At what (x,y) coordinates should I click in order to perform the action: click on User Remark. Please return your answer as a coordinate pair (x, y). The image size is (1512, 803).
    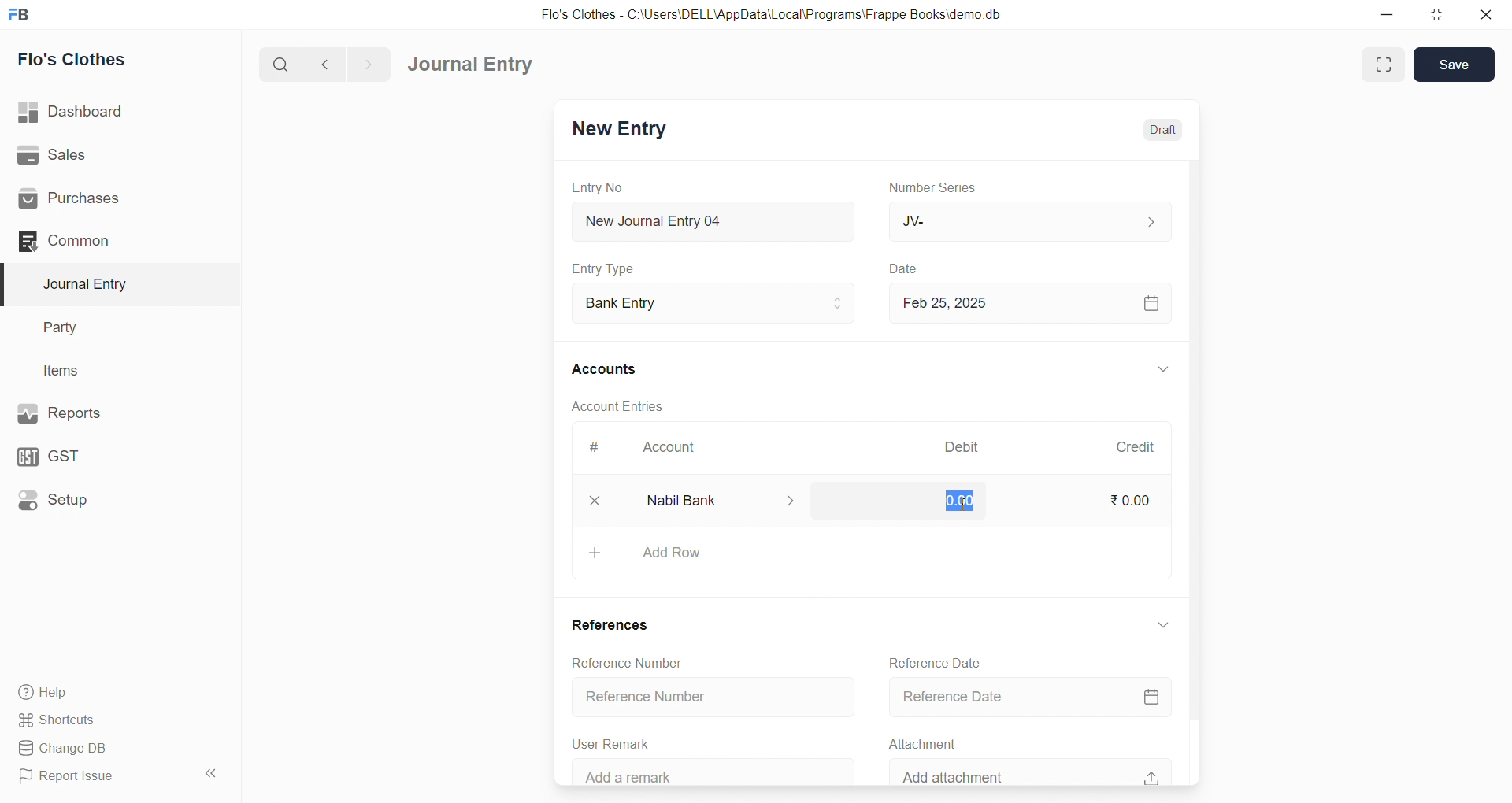
    Looking at the image, I should click on (606, 742).